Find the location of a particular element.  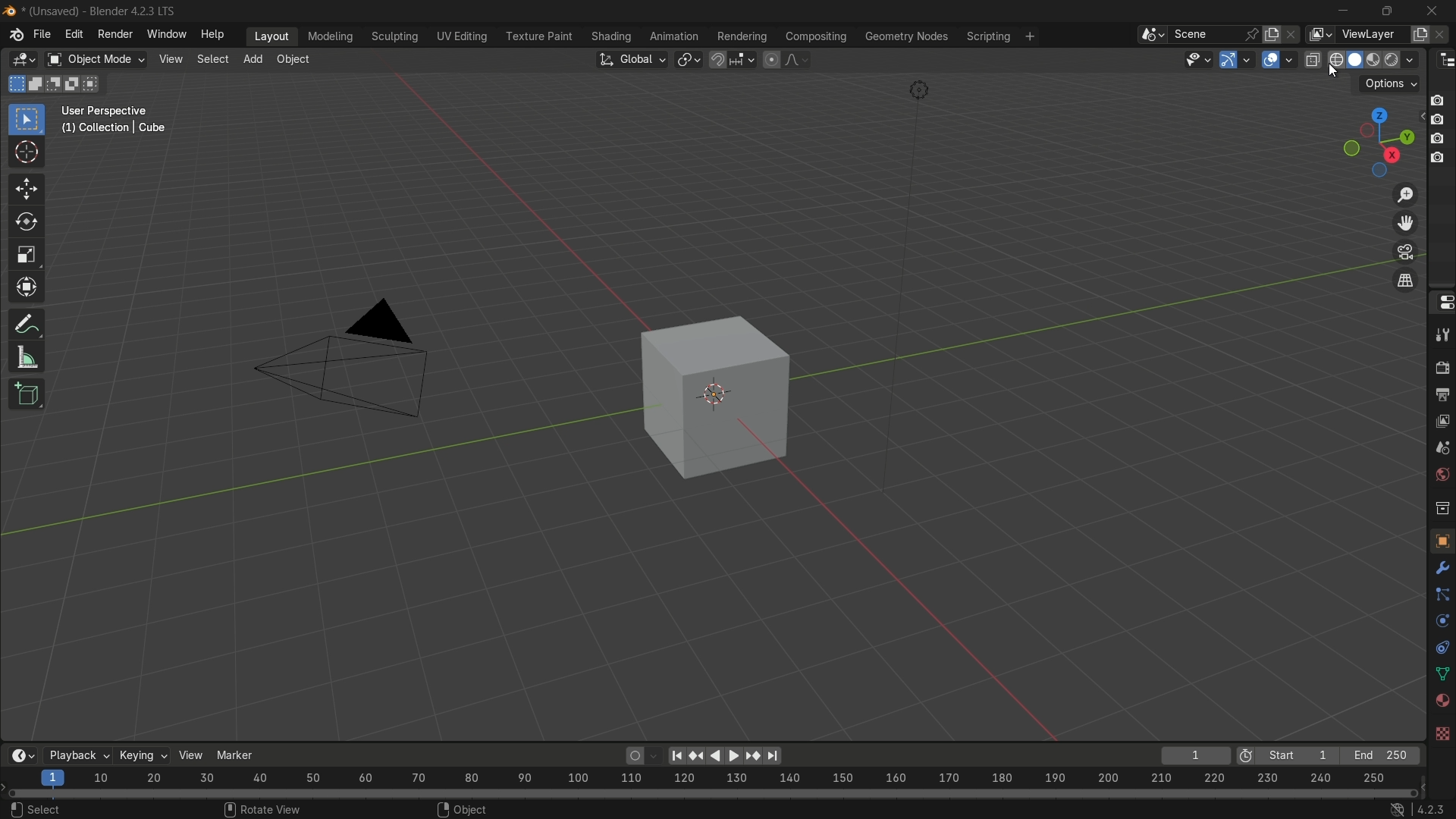

shift to set properties is located at coordinates (1442, 130).